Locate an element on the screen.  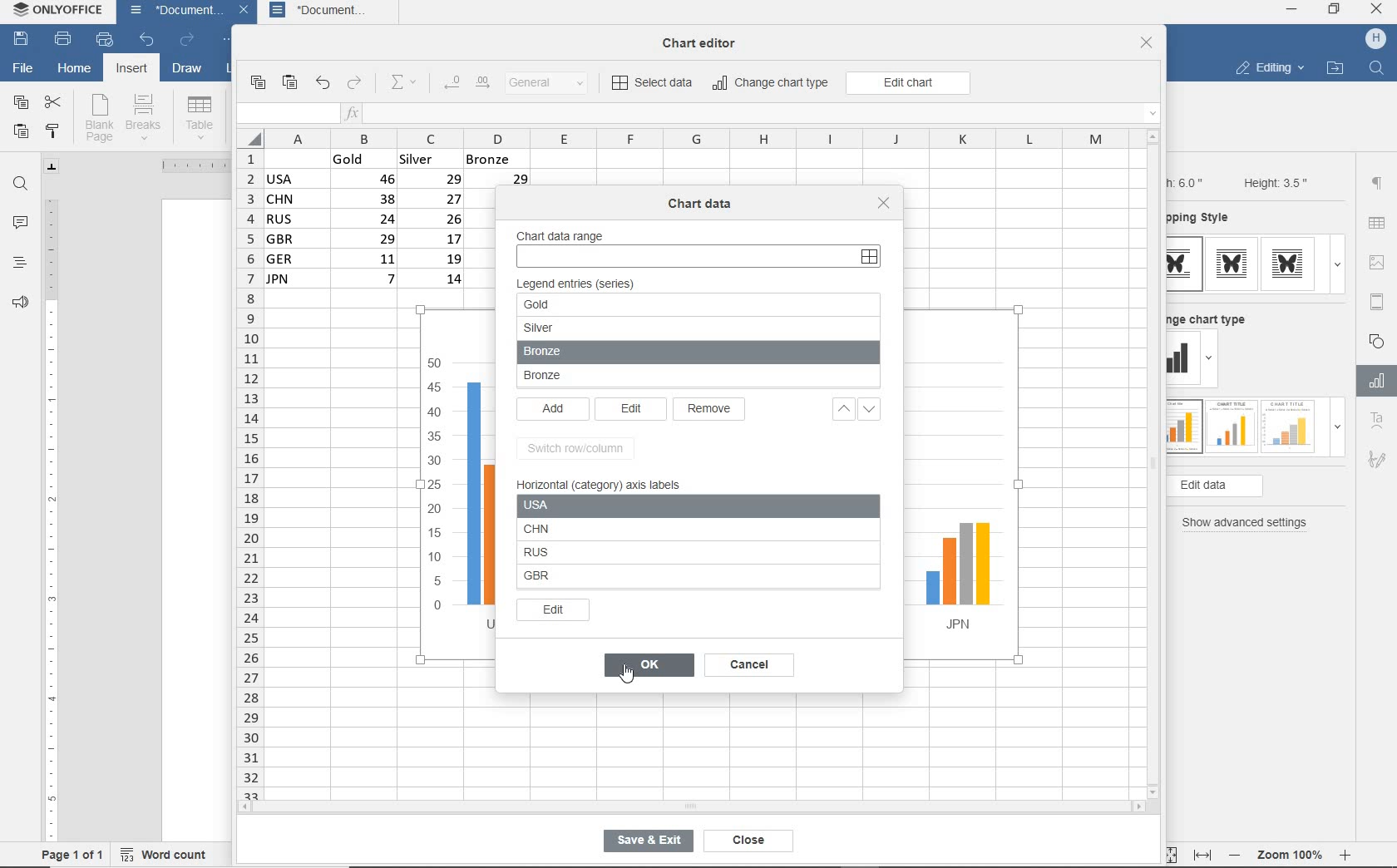
headings is located at coordinates (18, 264).